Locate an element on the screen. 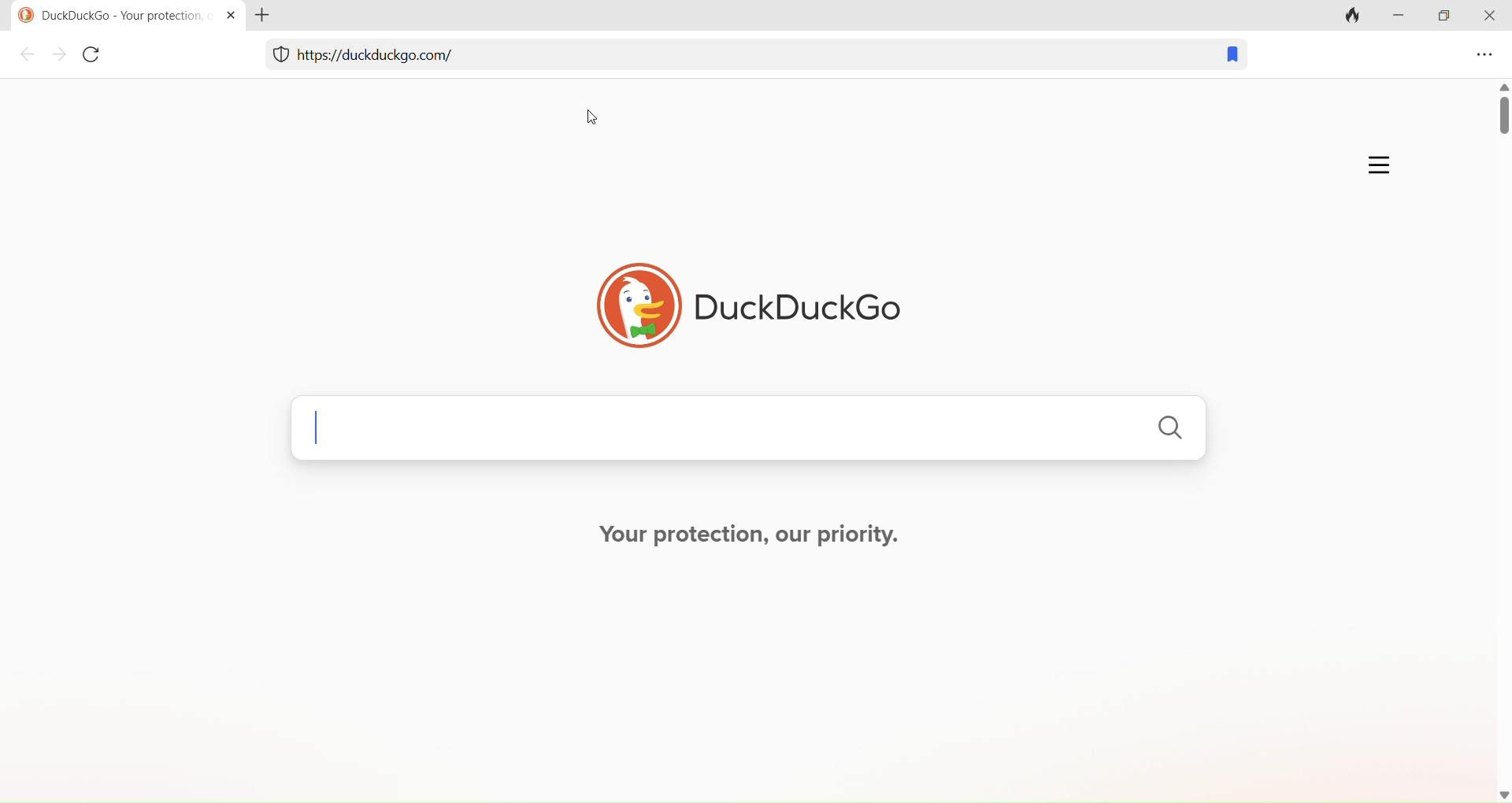 The image size is (1512, 803). menu is located at coordinates (1482, 57).